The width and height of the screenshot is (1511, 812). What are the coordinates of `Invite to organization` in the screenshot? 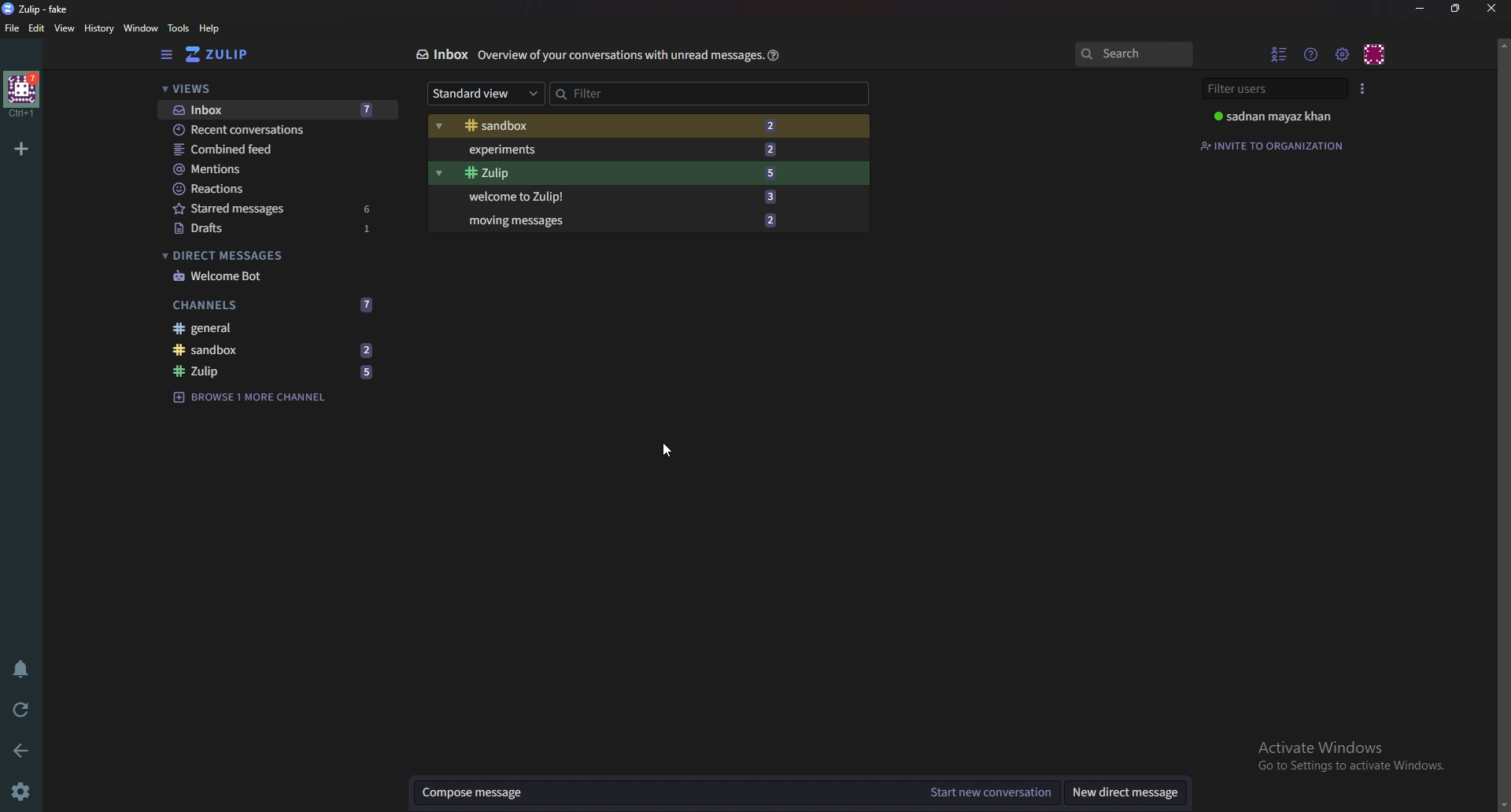 It's located at (1277, 145).